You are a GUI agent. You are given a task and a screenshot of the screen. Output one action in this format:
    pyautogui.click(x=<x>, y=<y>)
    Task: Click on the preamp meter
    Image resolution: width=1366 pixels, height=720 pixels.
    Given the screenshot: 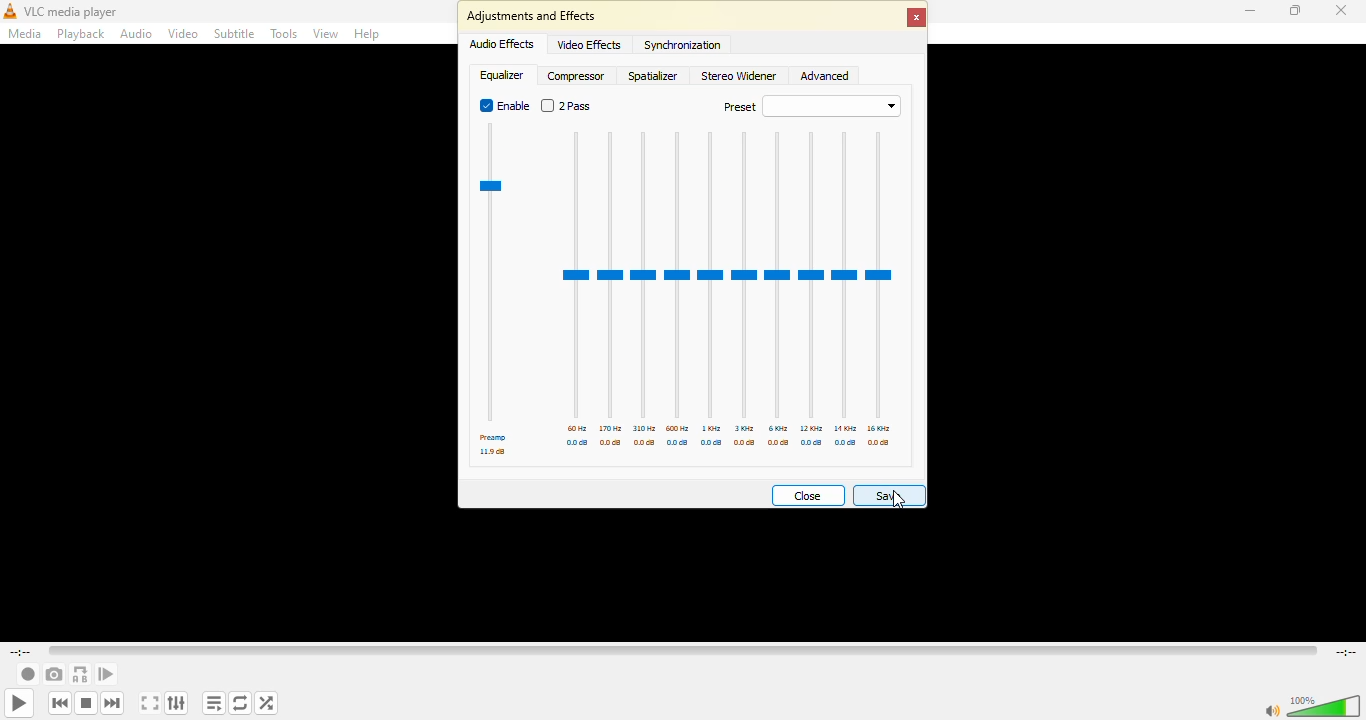 What is the action you would take?
    pyautogui.click(x=492, y=189)
    